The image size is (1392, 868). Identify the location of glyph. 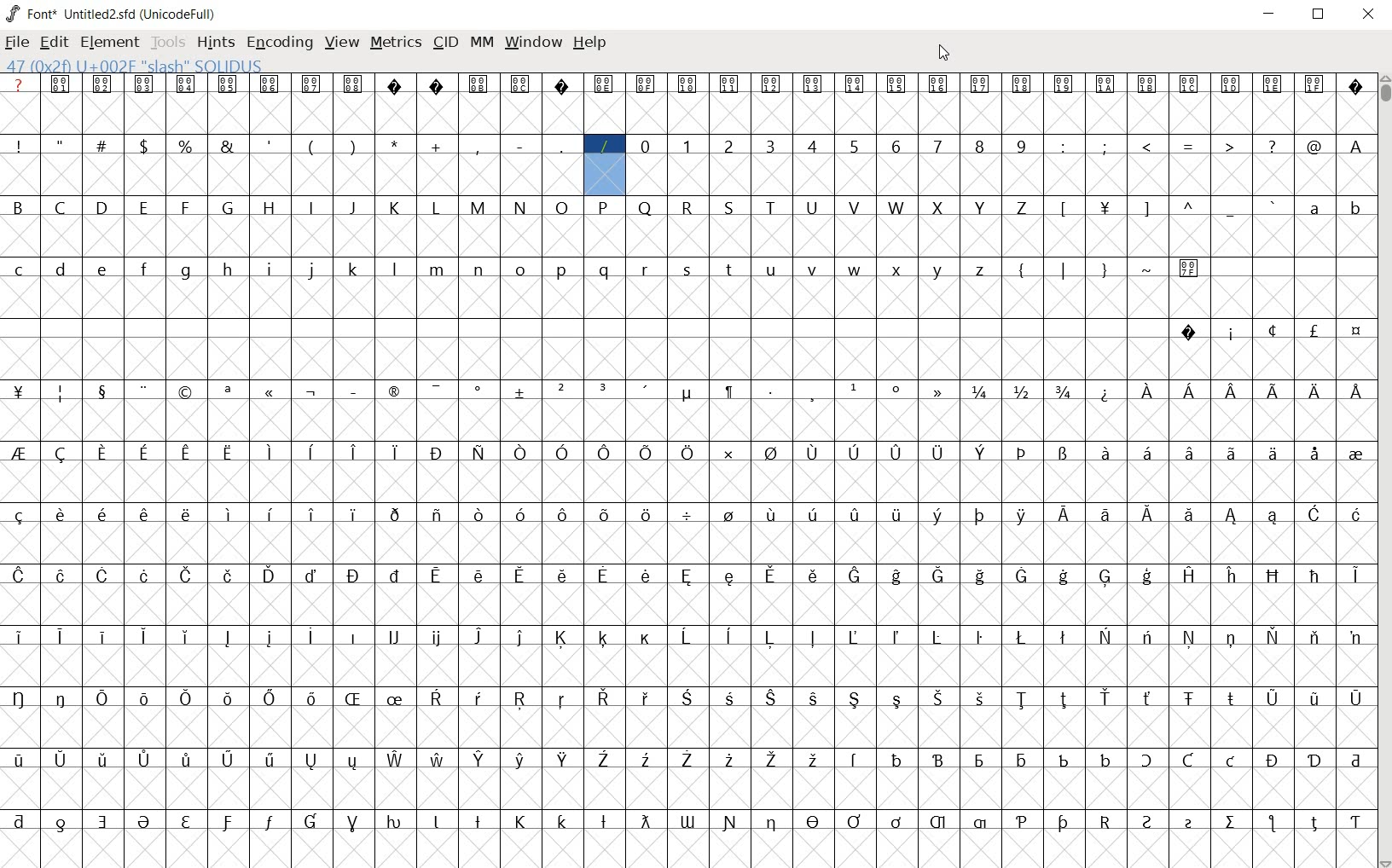
(1357, 332).